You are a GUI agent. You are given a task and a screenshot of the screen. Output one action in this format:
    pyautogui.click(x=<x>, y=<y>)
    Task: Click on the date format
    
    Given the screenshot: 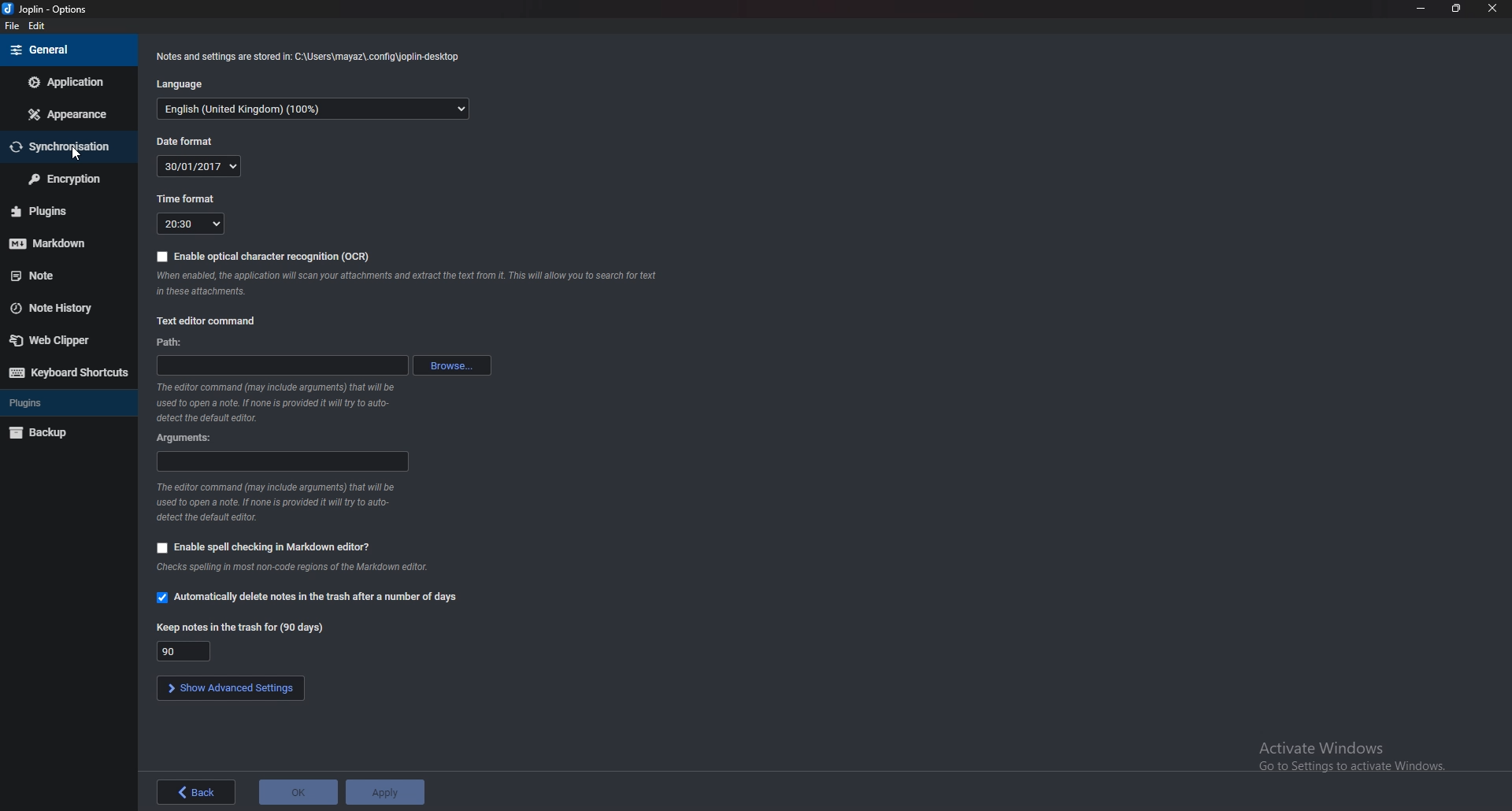 What is the action you would take?
    pyautogui.click(x=200, y=166)
    